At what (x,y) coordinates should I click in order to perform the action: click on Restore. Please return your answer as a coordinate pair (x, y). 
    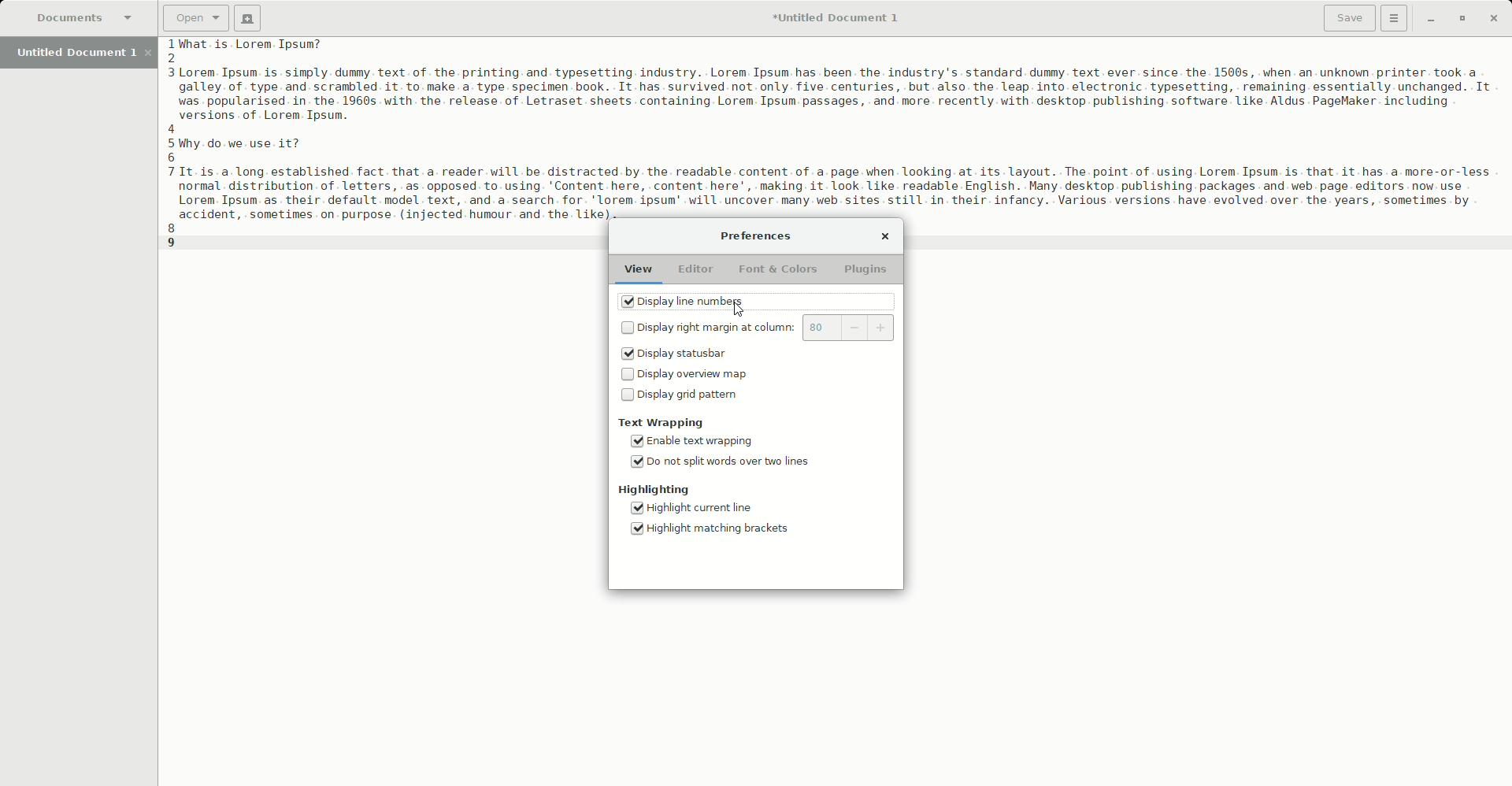
    Looking at the image, I should click on (1458, 19).